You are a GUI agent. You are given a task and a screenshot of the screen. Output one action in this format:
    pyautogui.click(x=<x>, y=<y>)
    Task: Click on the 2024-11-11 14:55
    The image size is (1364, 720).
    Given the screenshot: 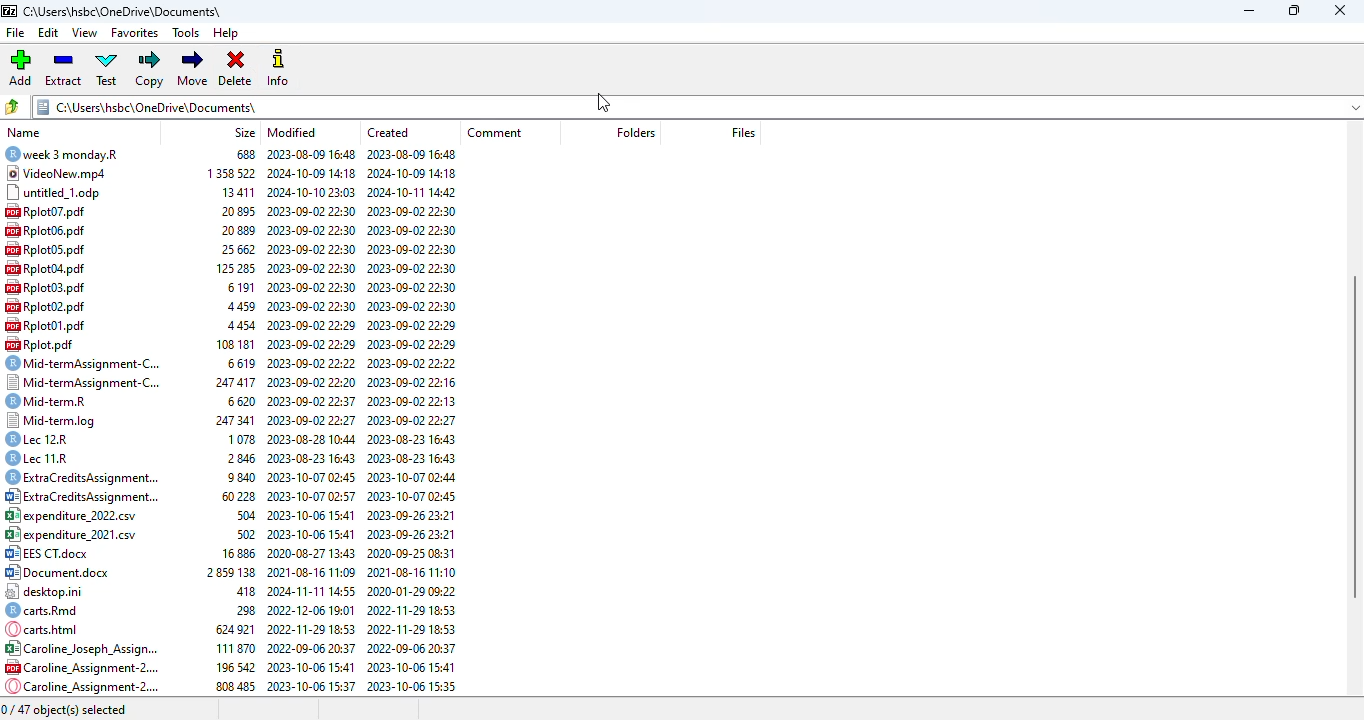 What is the action you would take?
    pyautogui.click(x=309, y=592)
    